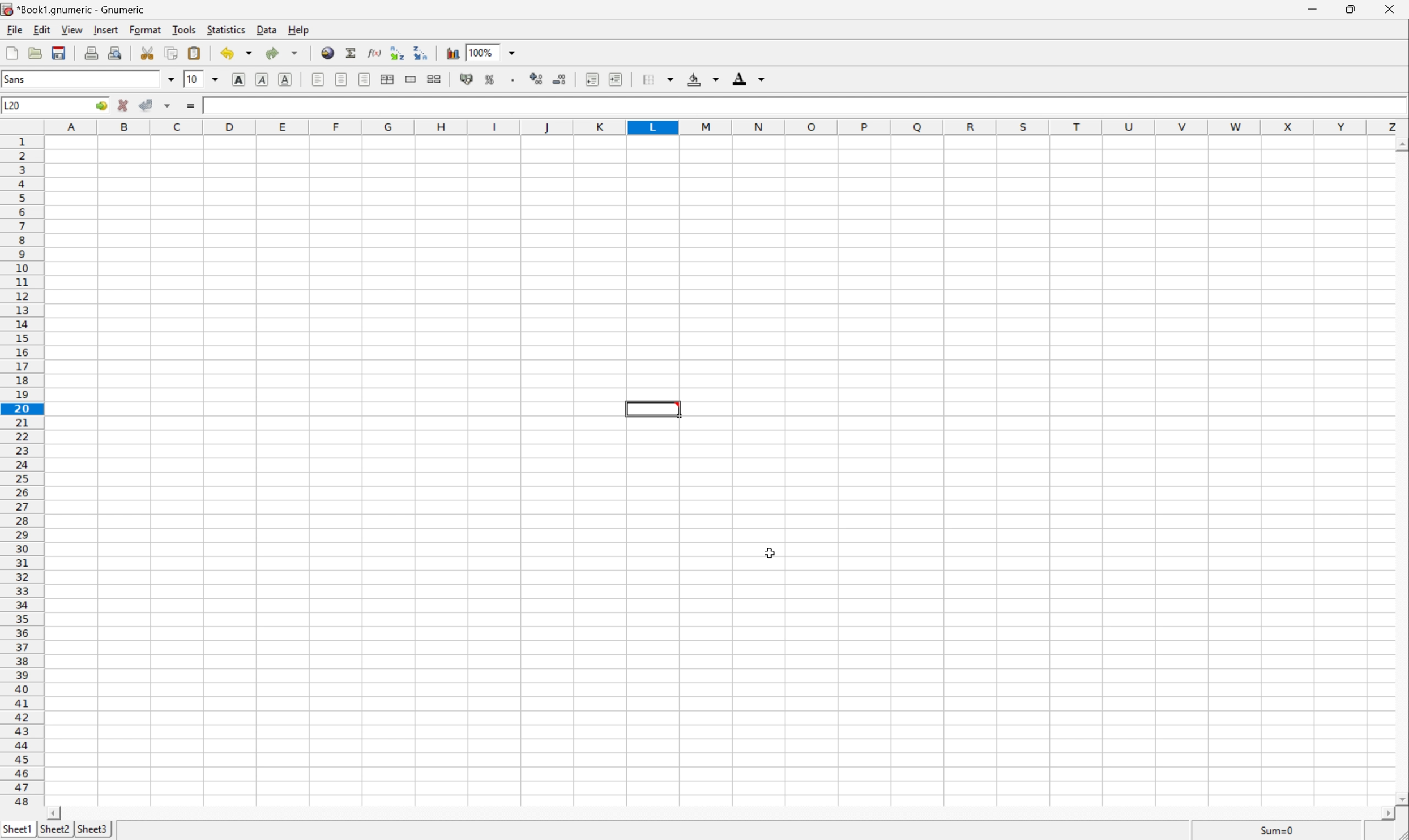 The image size is (1409, 840). Describe the element at coordinates (490, 79) in the screenshot. I see `Format the selection as percentage` at that location.